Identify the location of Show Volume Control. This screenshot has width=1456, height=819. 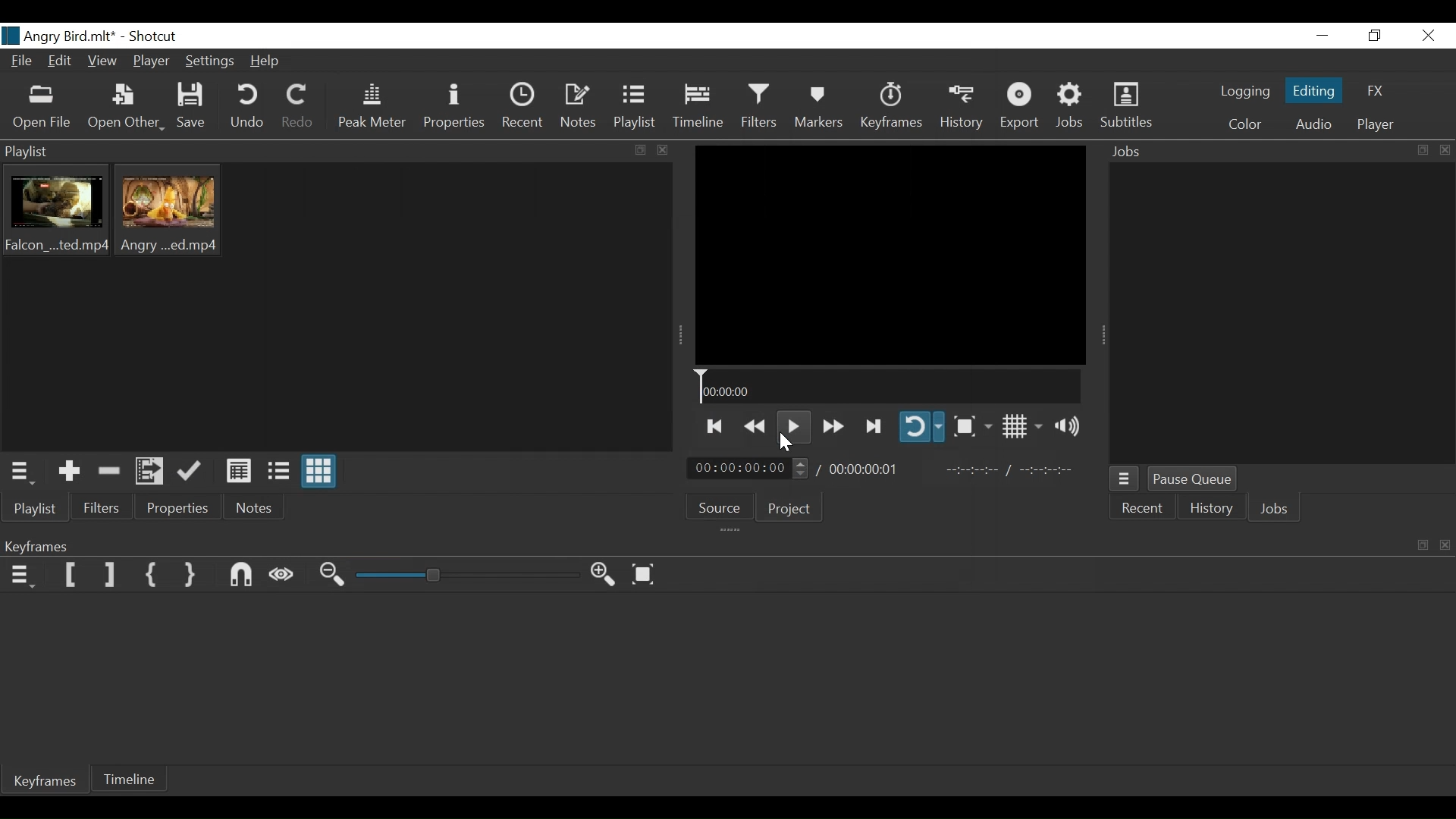
(1070, 427).